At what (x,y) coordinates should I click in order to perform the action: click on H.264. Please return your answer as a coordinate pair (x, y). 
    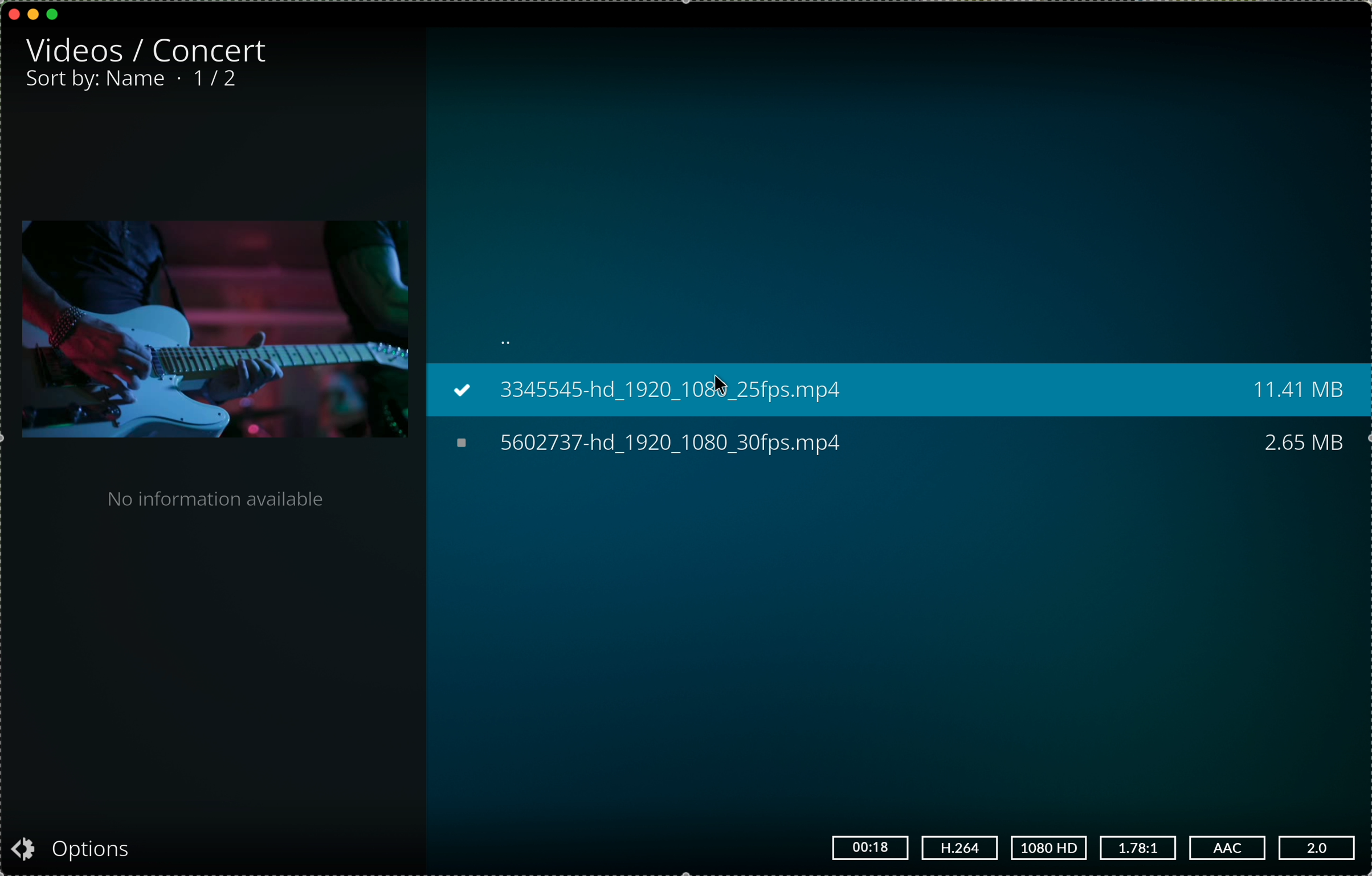
    Looking at the image, I should click on (959, 846).